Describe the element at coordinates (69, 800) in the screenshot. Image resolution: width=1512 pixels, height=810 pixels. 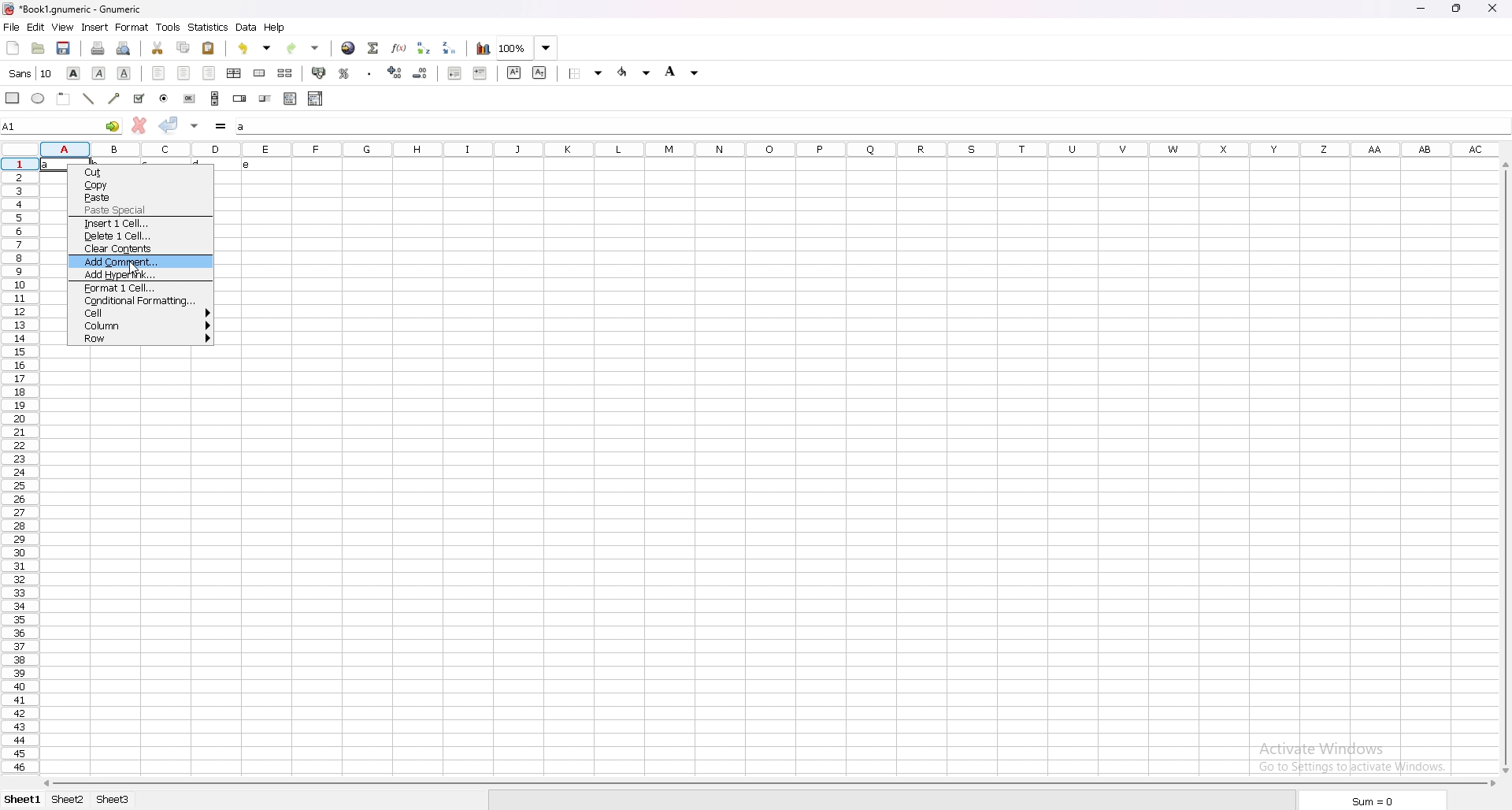
I see `sheet 2` at that location.